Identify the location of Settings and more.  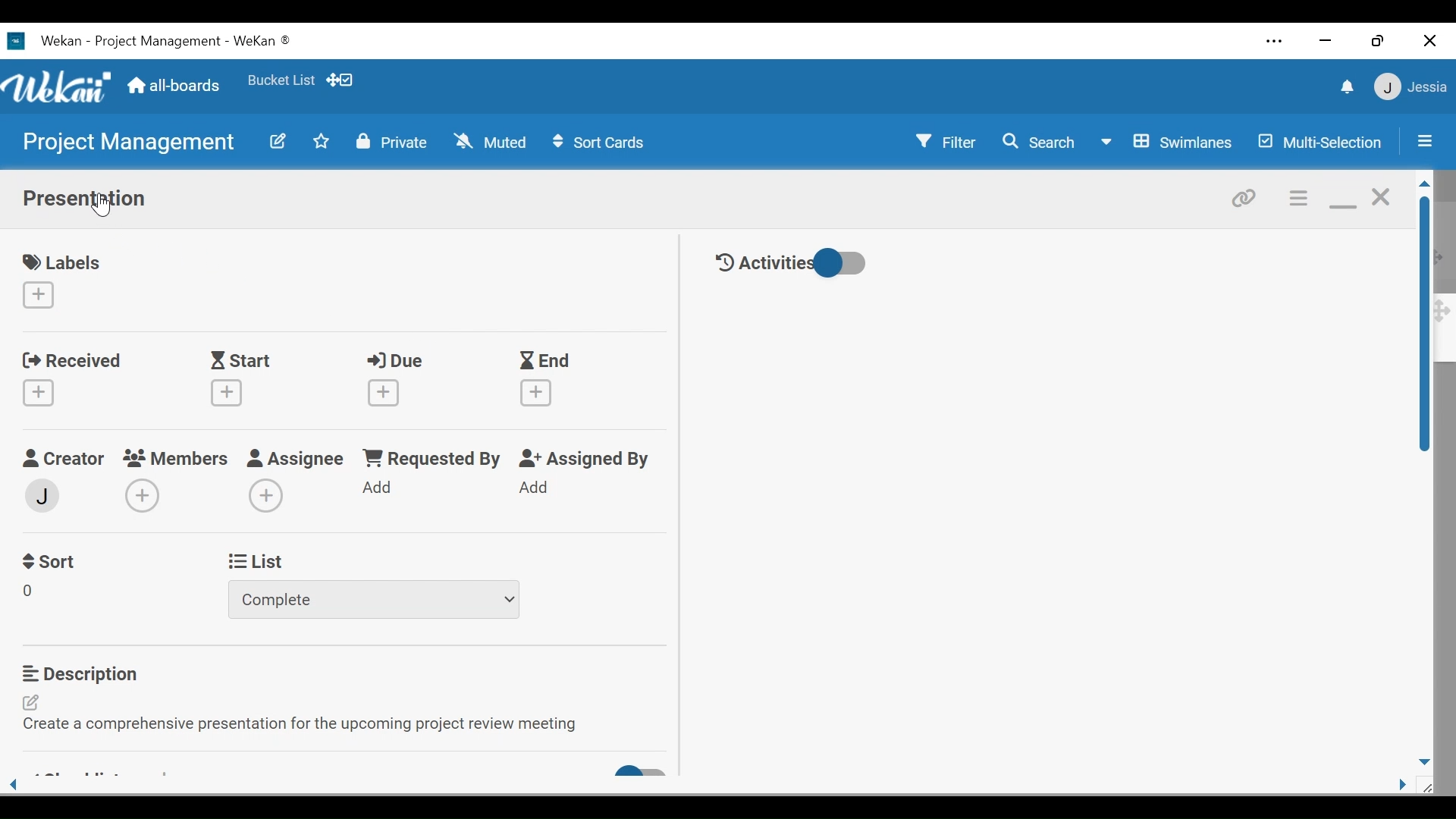
(1276, 42).